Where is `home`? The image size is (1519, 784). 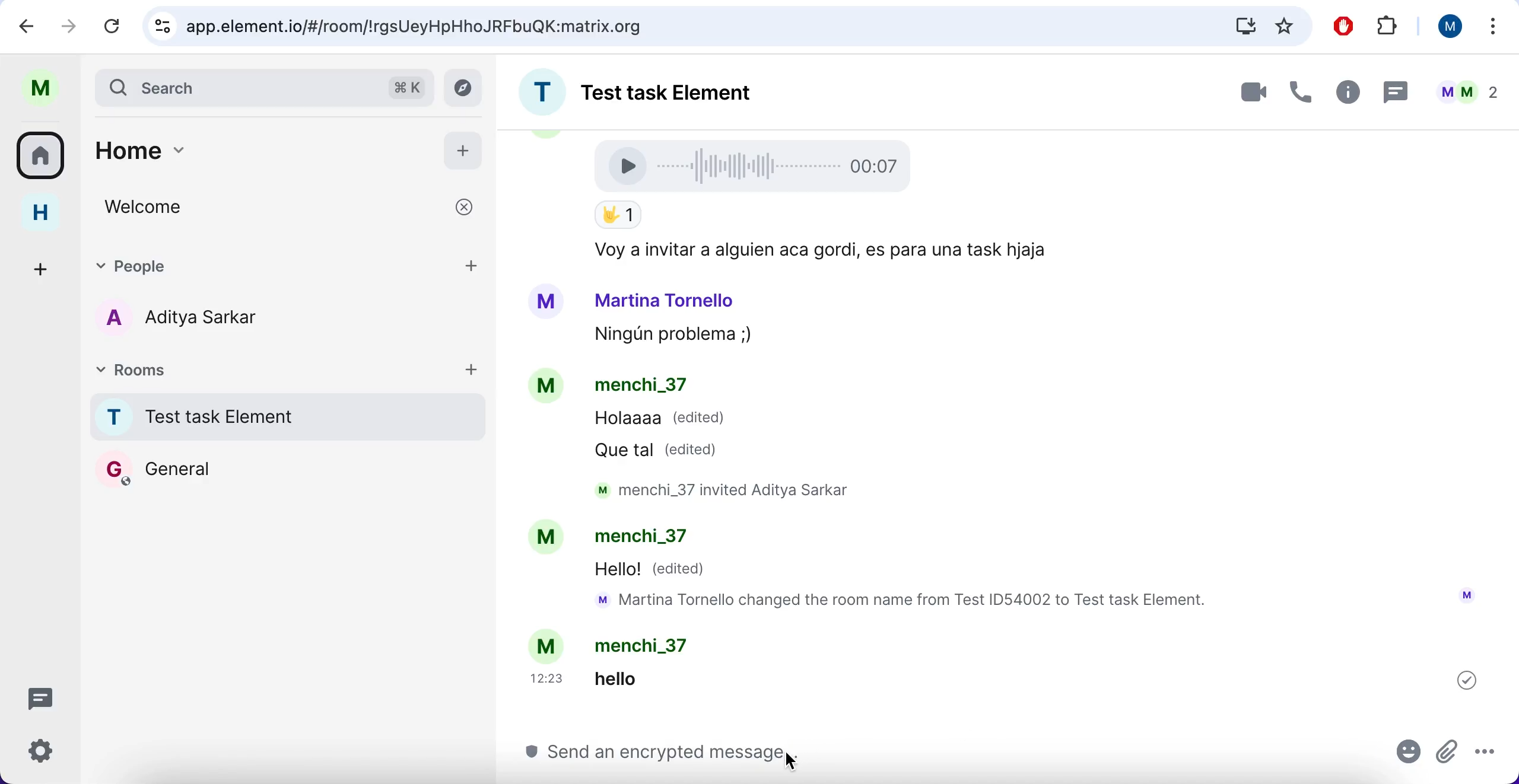
home is located at coordinates (49, 213).